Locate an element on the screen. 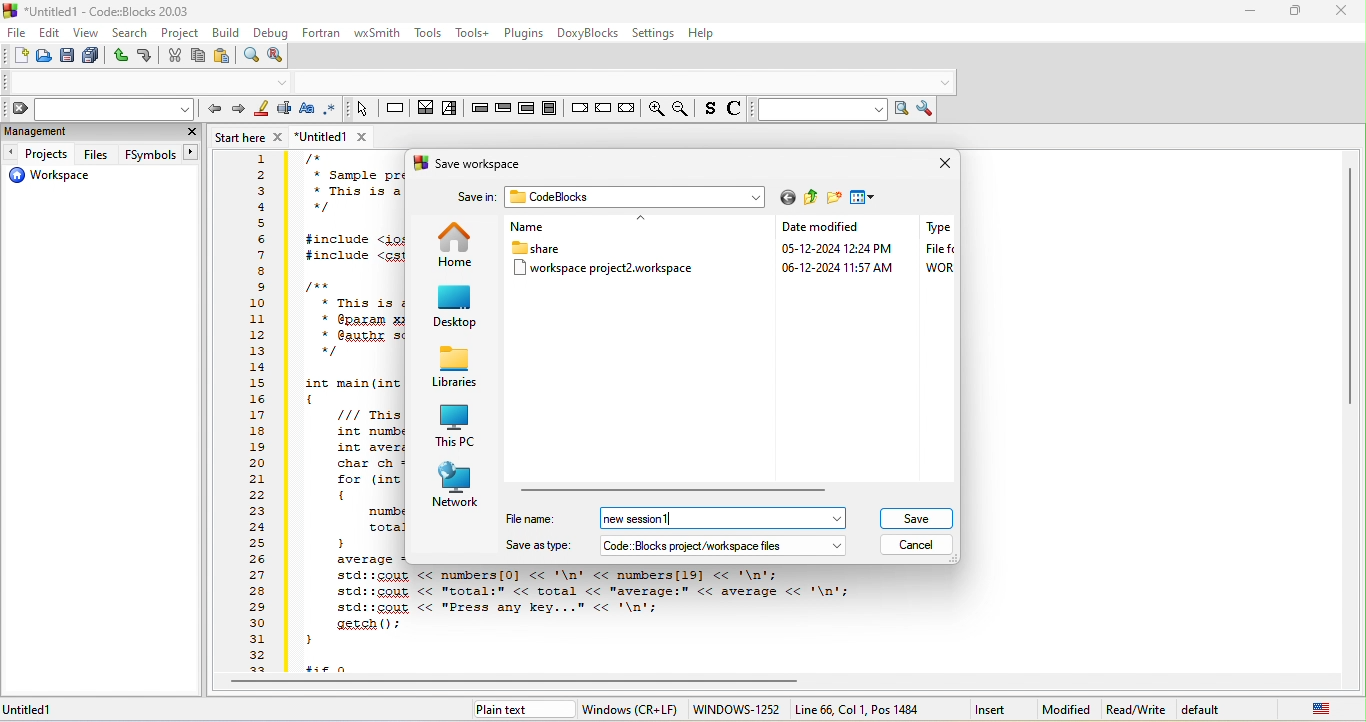 The height and width of the screenshot is (722, 1366). edit is located at coordinates (48, 34).